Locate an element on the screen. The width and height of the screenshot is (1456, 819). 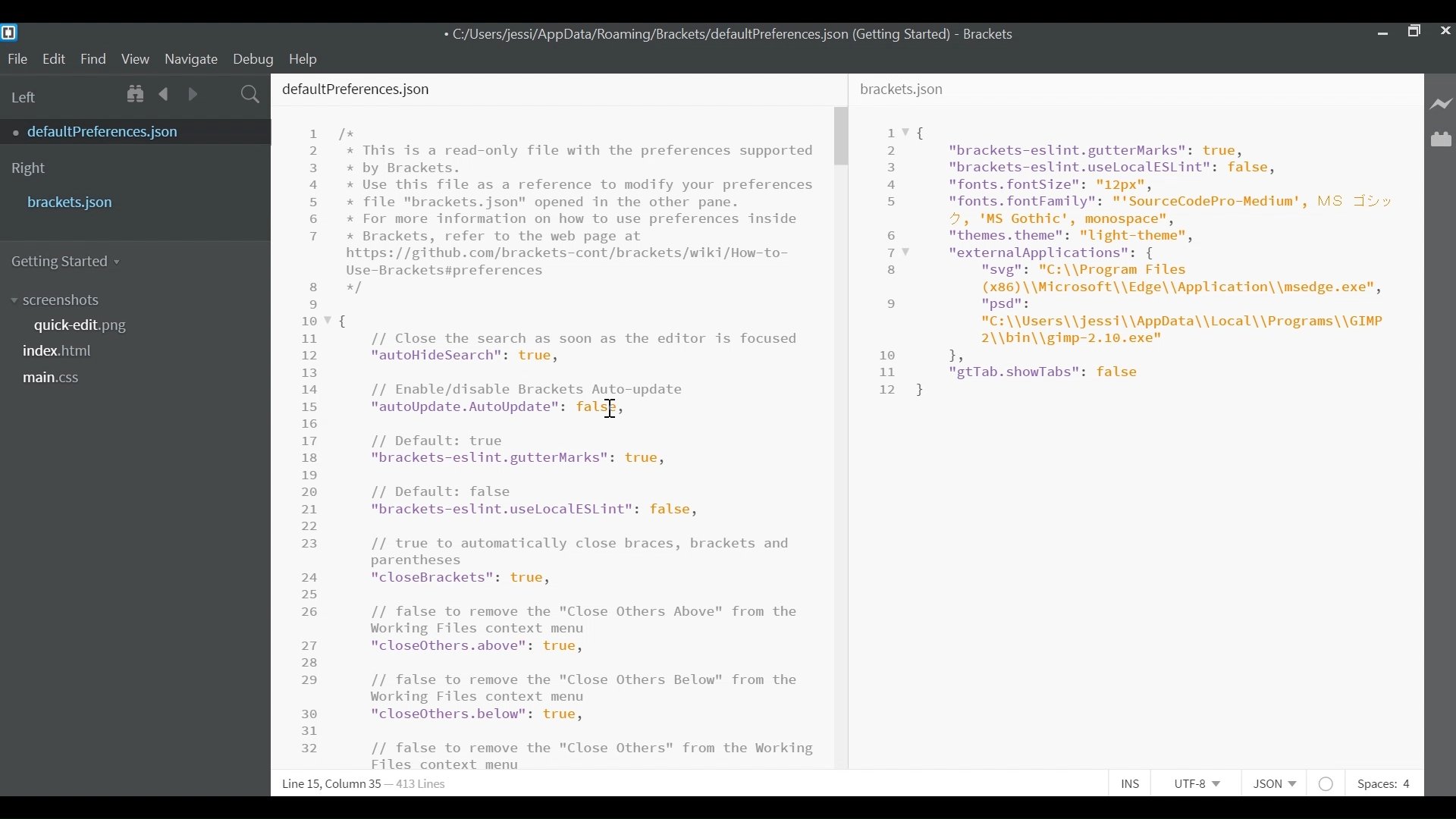
Find In Files is located at coordinates (251, 93).